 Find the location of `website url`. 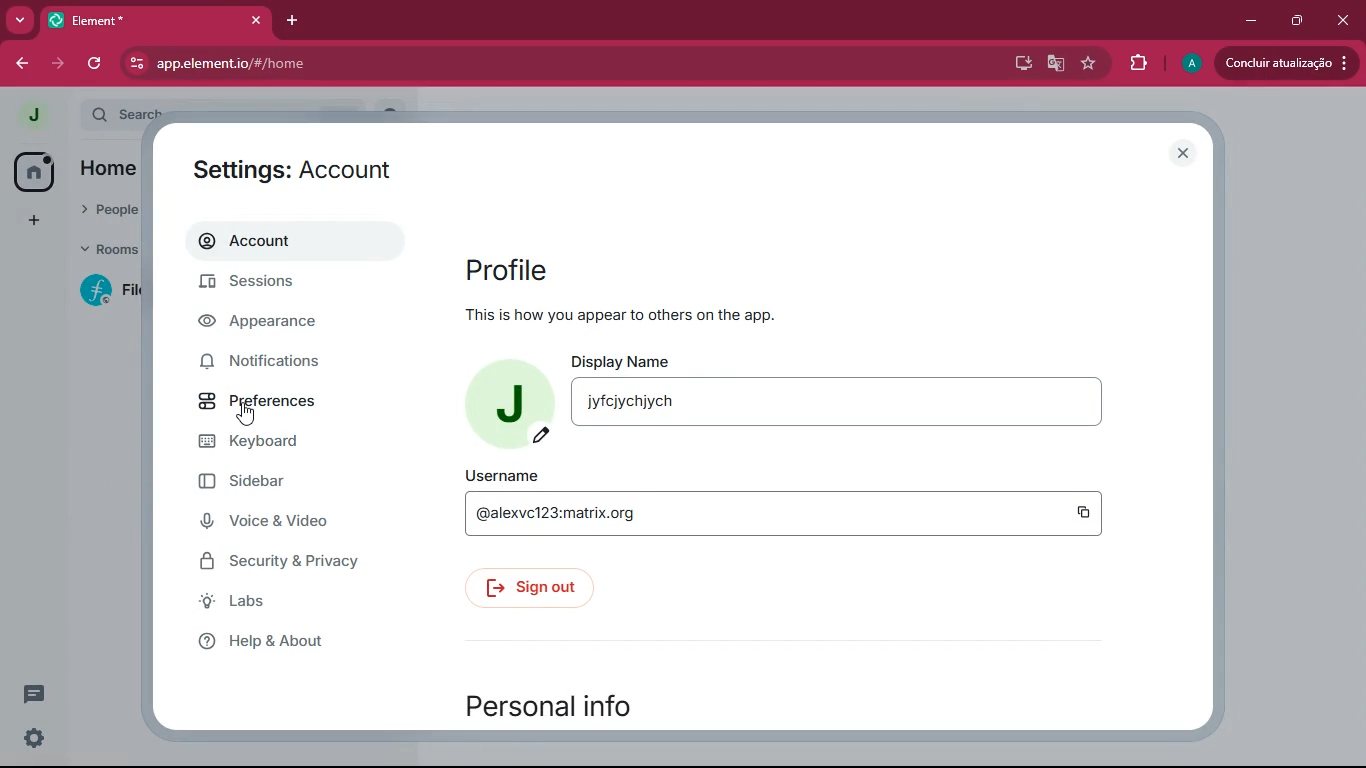

website url is located at coordinates (337, 65).